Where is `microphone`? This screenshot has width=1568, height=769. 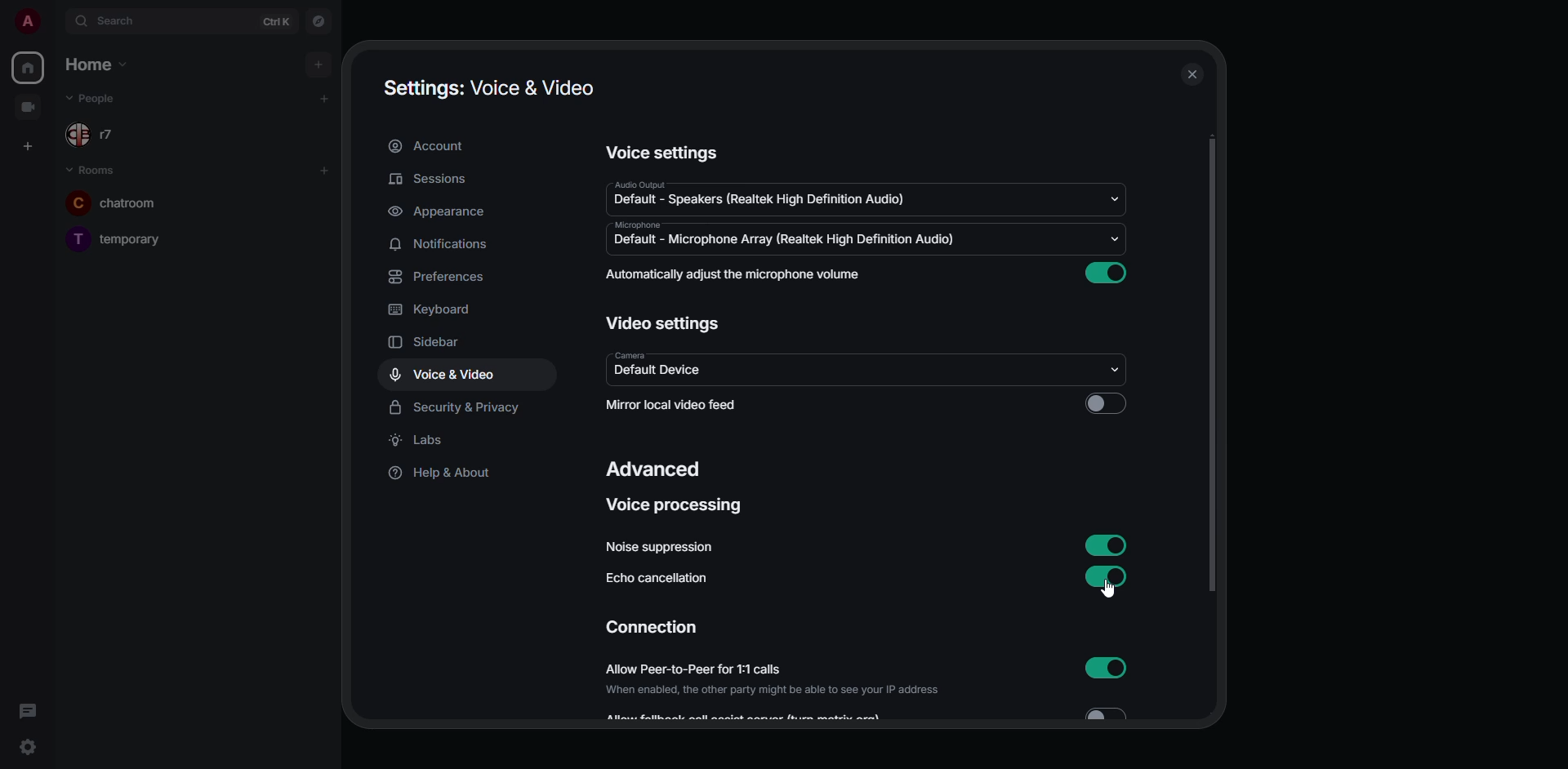 microphone is located at coordinates (635, 224).